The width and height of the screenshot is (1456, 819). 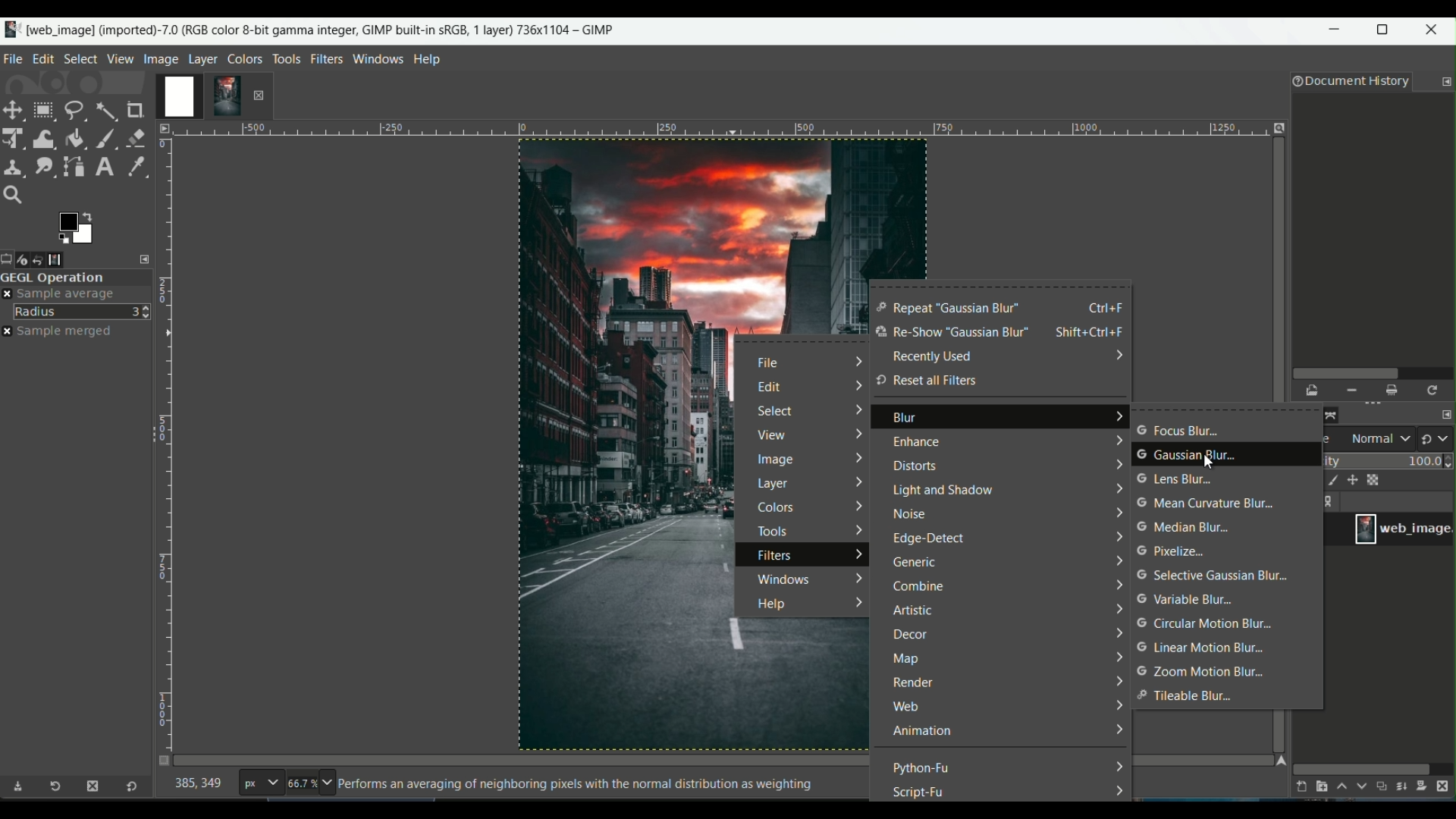 I want to click on selective guassian blur, so click(x=1215, y=576).